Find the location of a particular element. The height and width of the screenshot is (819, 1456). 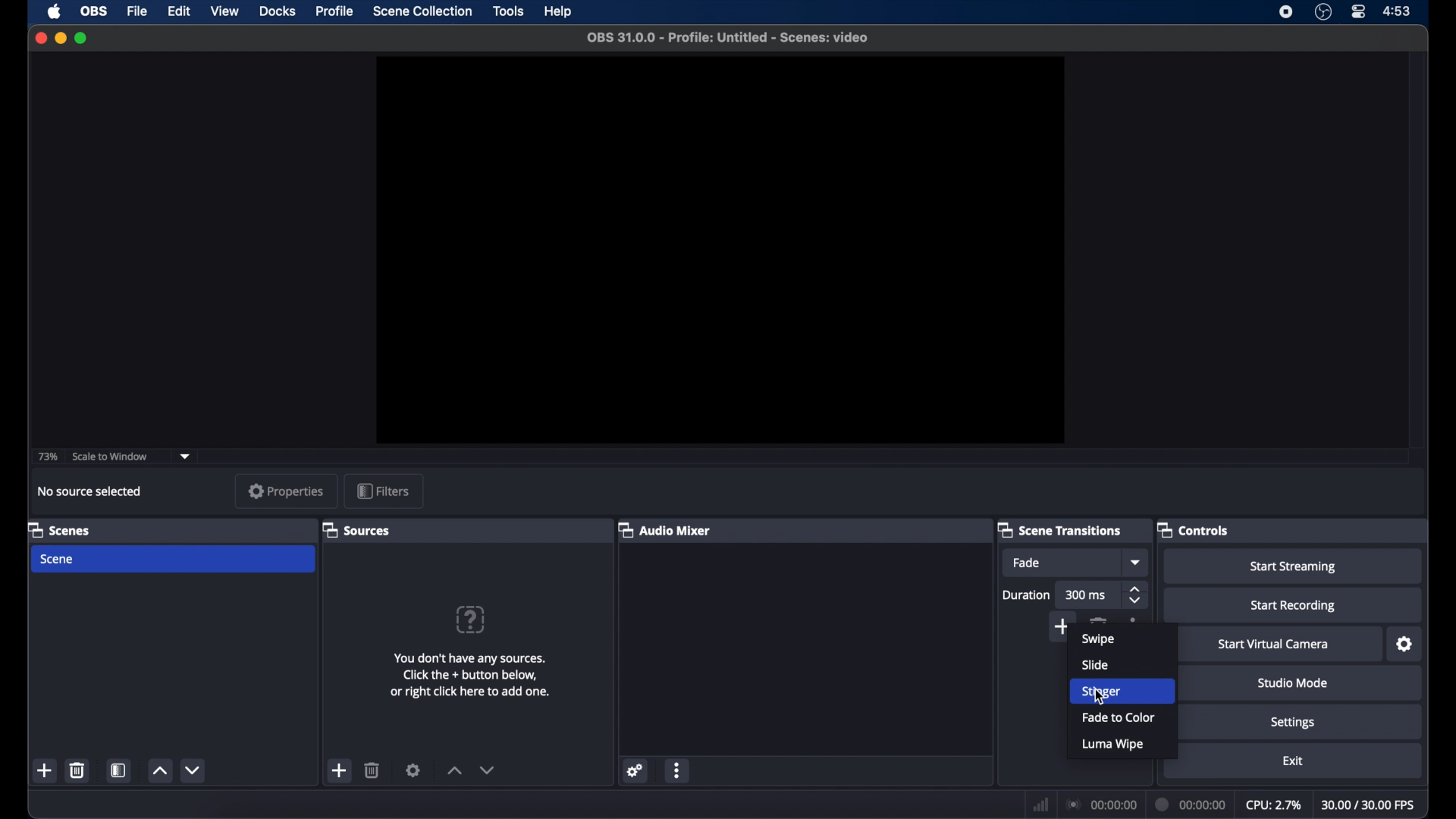

delete is located at coordinates (373, 770).